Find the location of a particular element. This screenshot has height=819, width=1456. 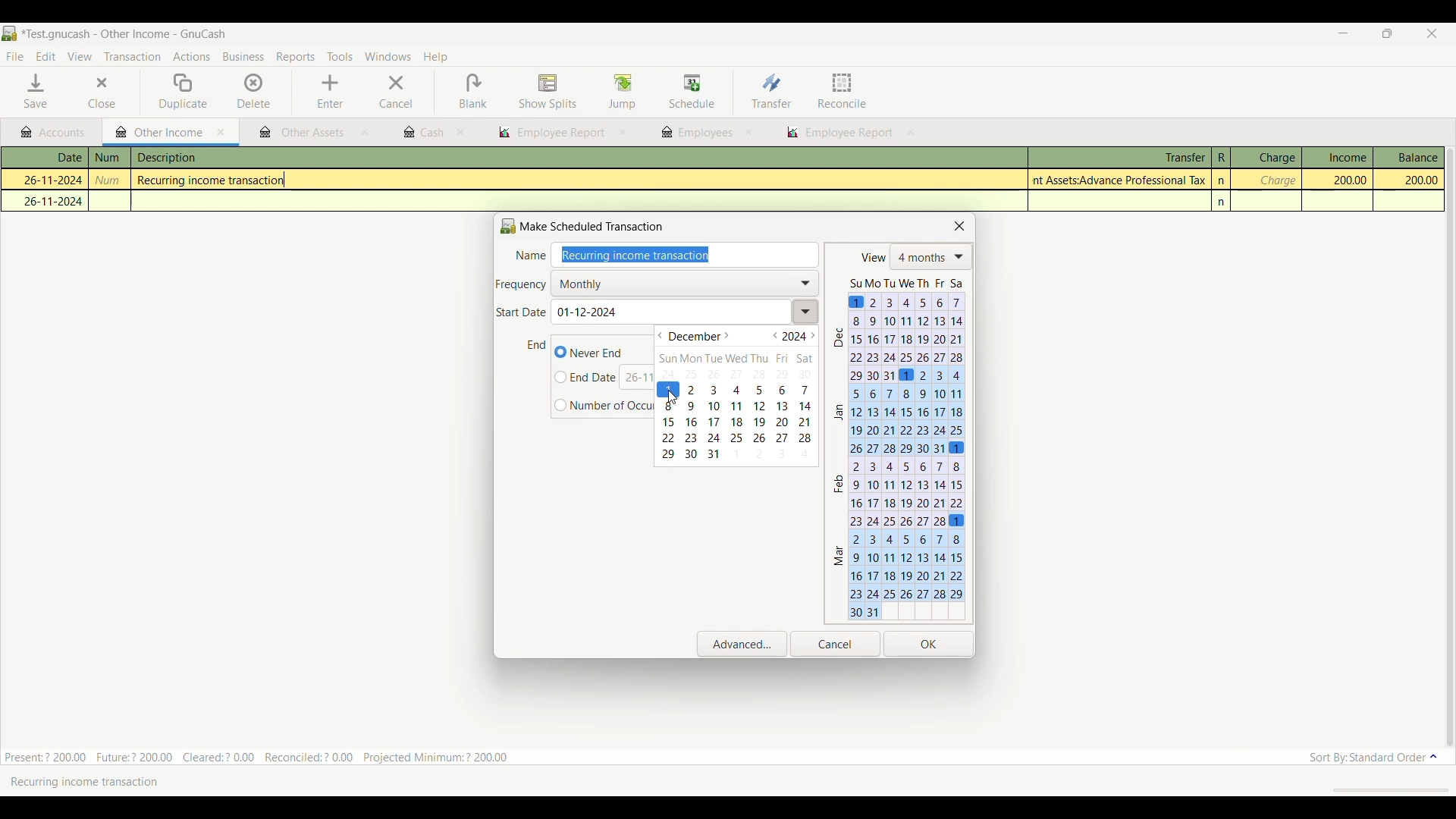

Jump is located at coordinates (622, 91).